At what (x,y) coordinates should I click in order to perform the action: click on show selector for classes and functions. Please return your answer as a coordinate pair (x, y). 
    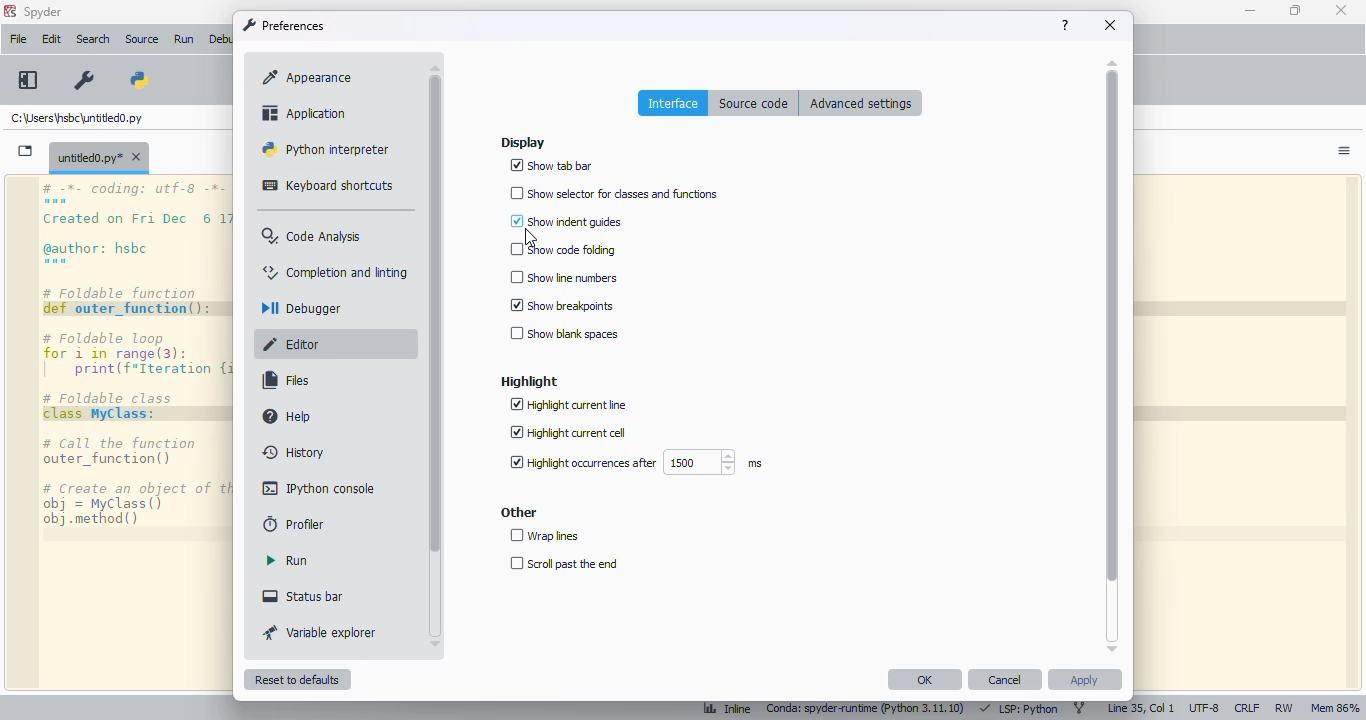
    Looking at the image, I should click on (616, 192).